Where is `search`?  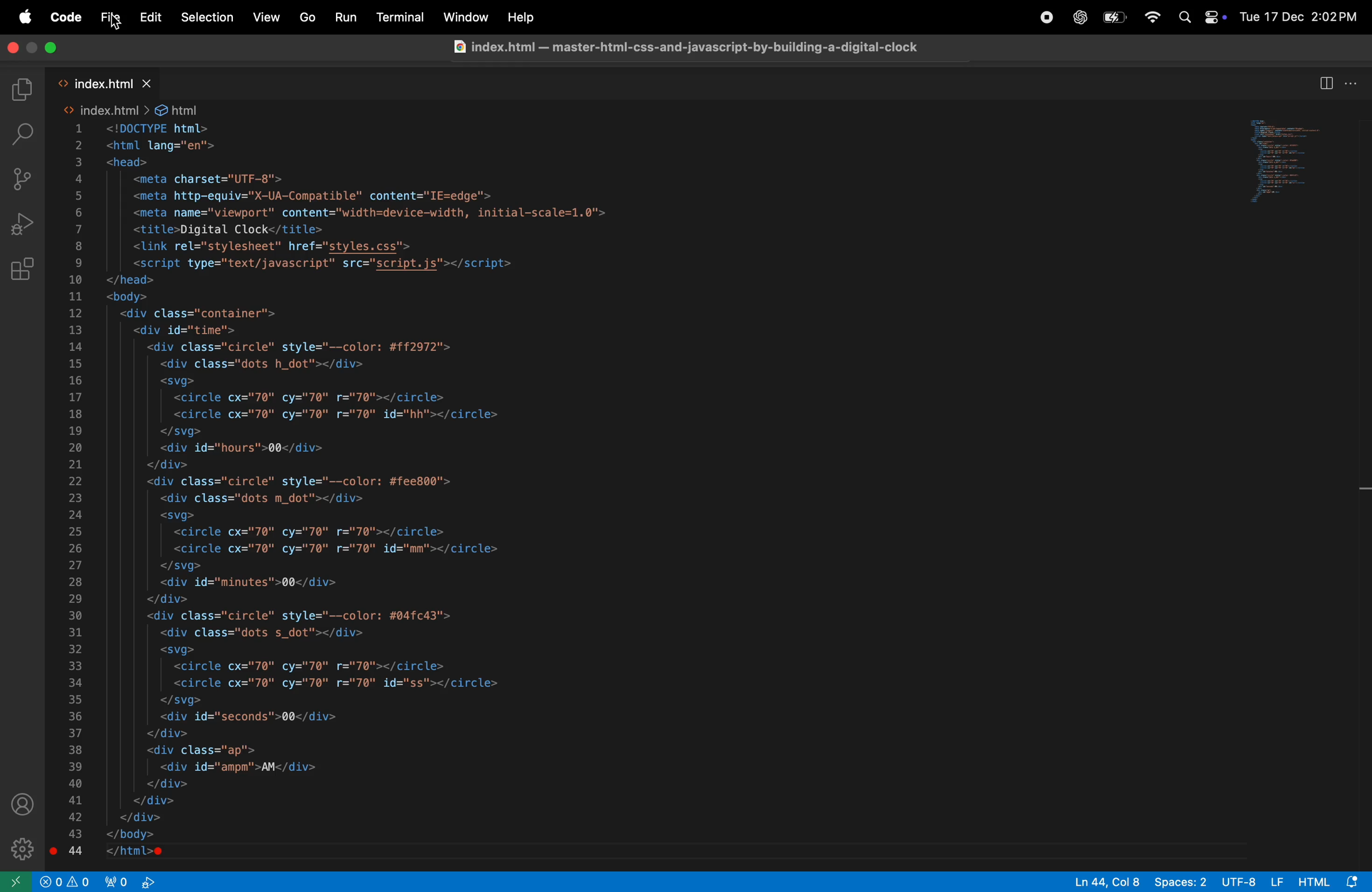 search is located at coordinates (26, 136).